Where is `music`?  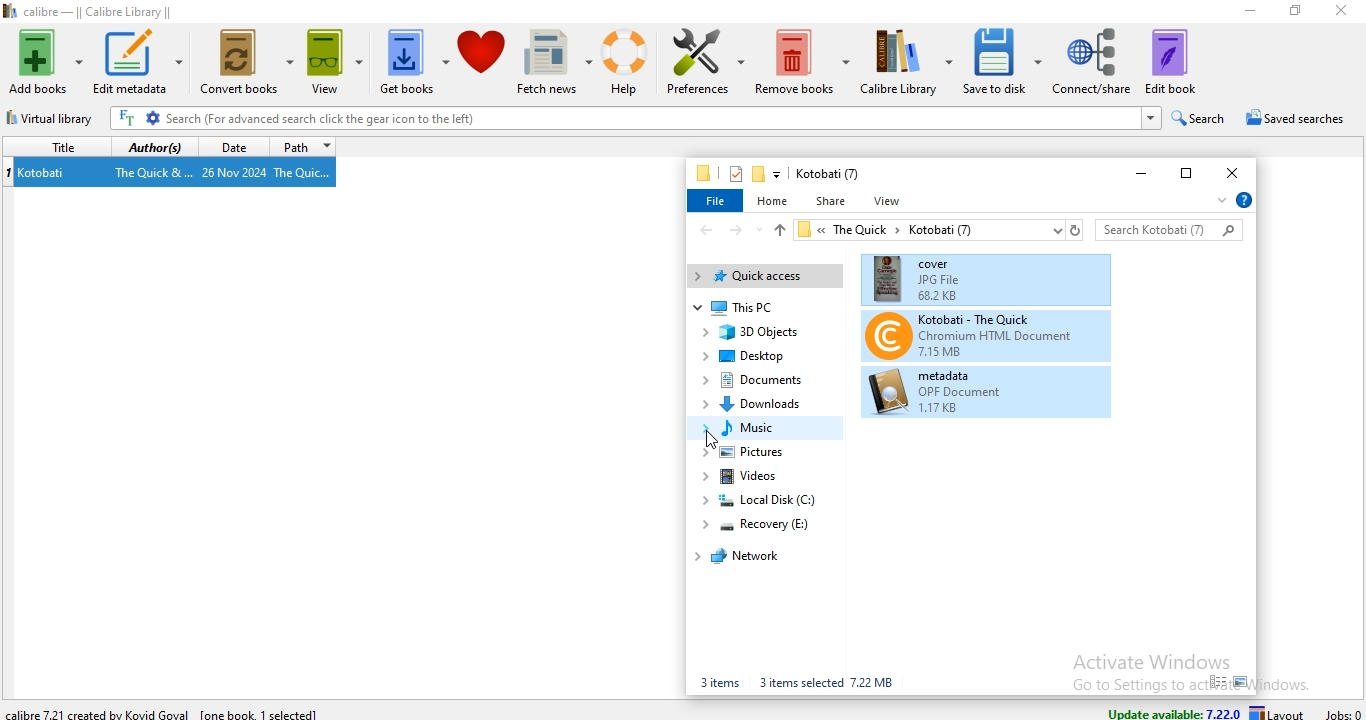
music is located at coordinates (751, 427).